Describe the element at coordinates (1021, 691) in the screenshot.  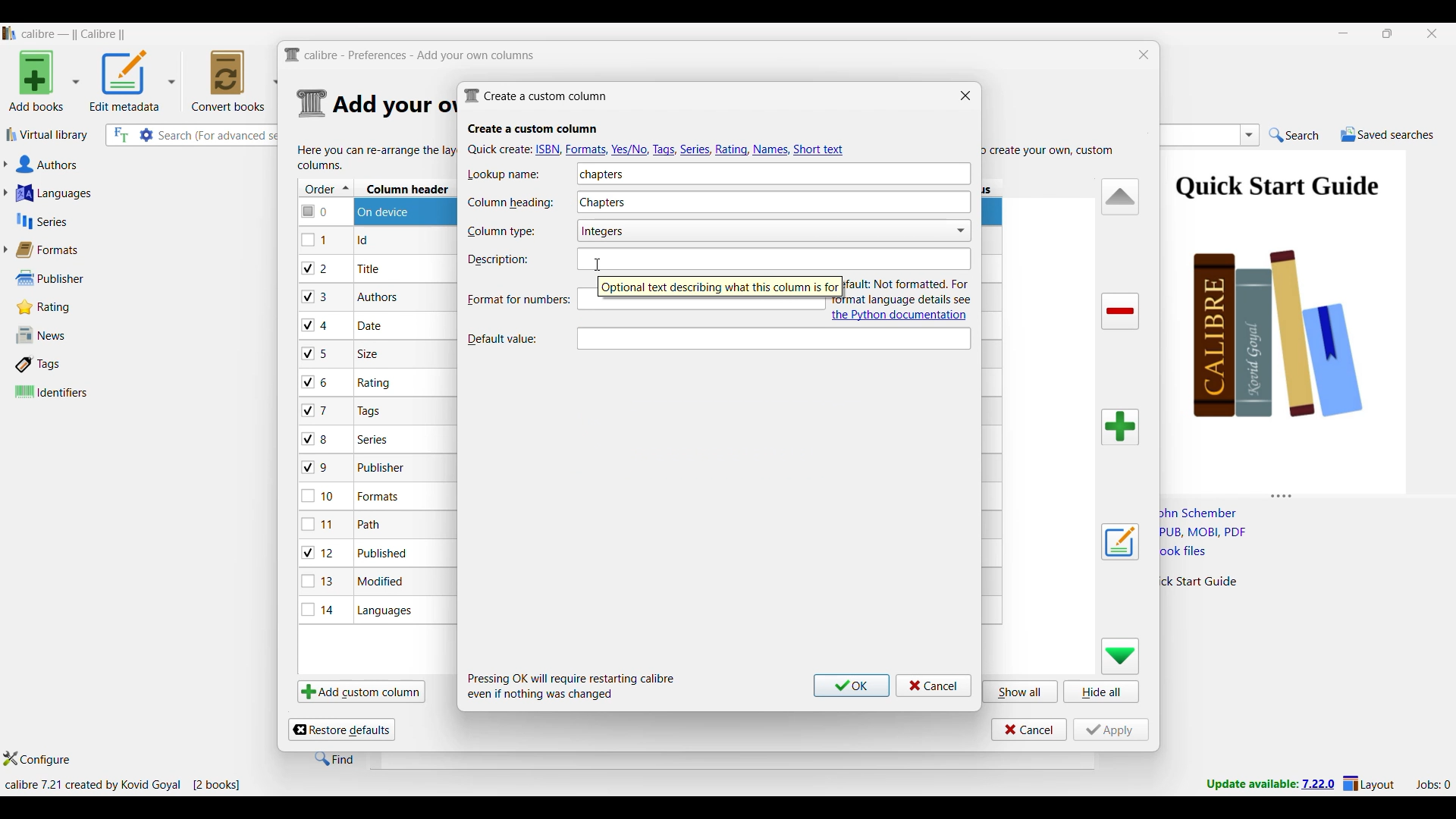
I see `Show all` at that location.